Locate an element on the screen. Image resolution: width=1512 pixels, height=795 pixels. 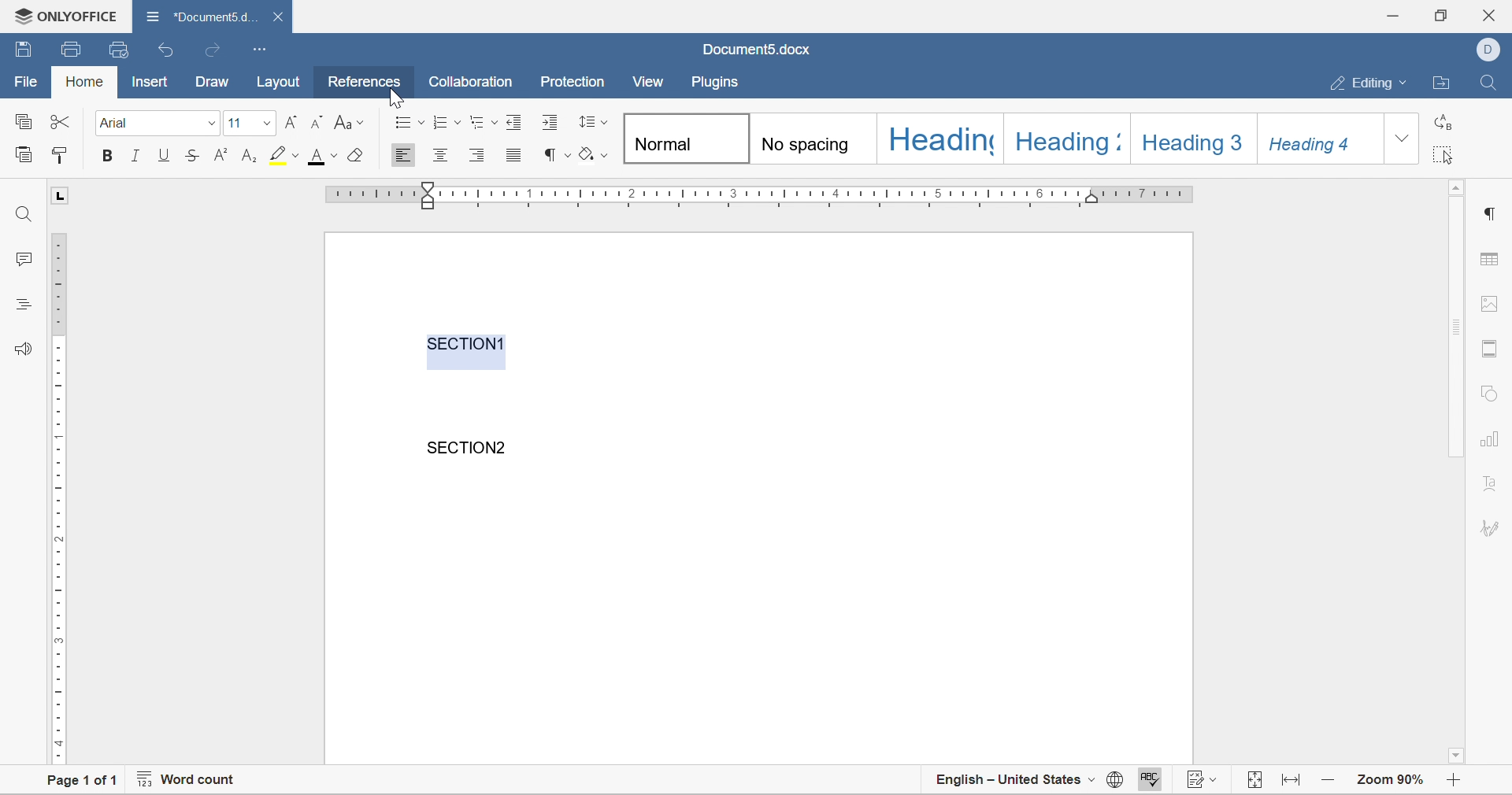
cursor is located at coordinates (395, 96).